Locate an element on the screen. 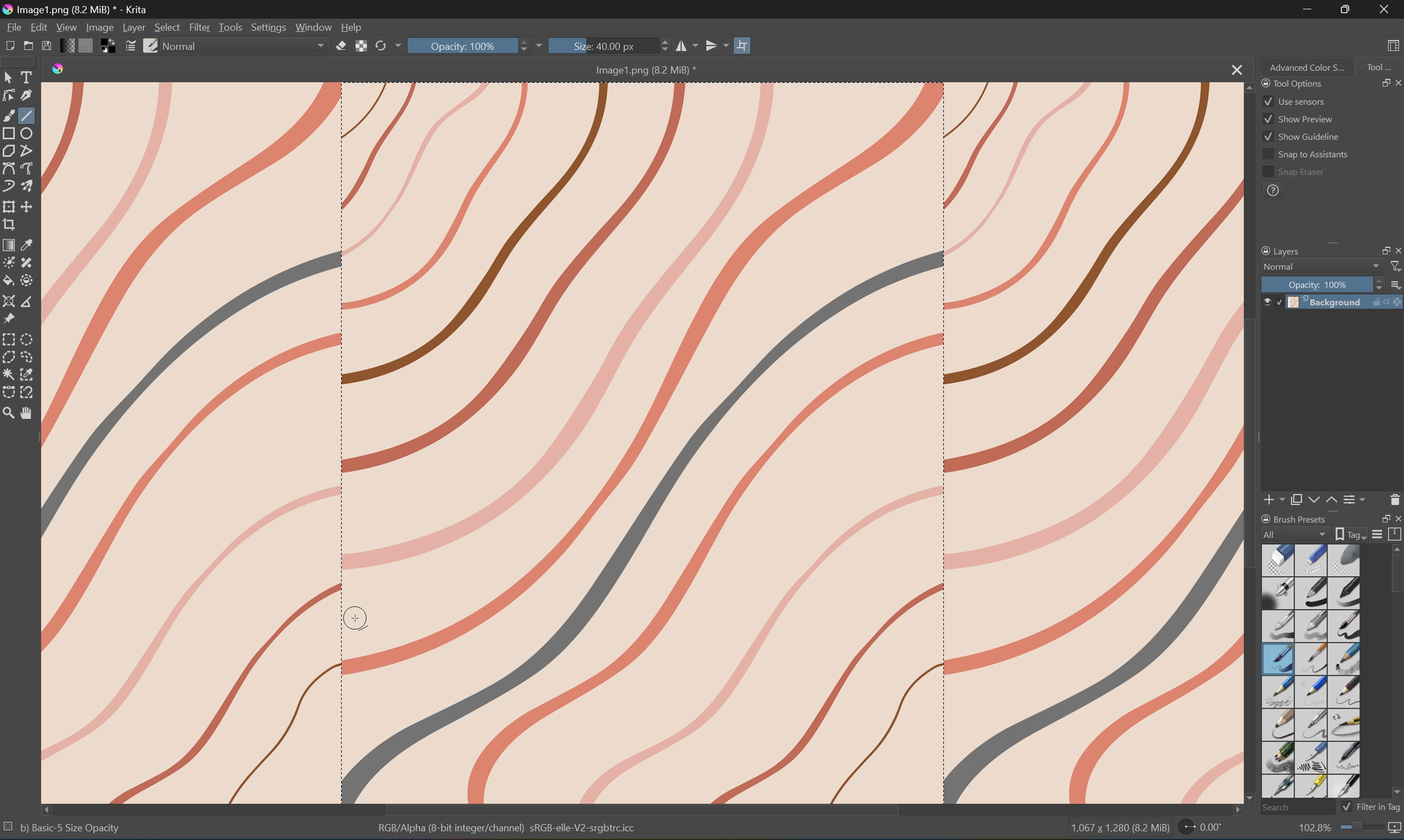  Enclose and fill tool is located at coordinates (25, 280).